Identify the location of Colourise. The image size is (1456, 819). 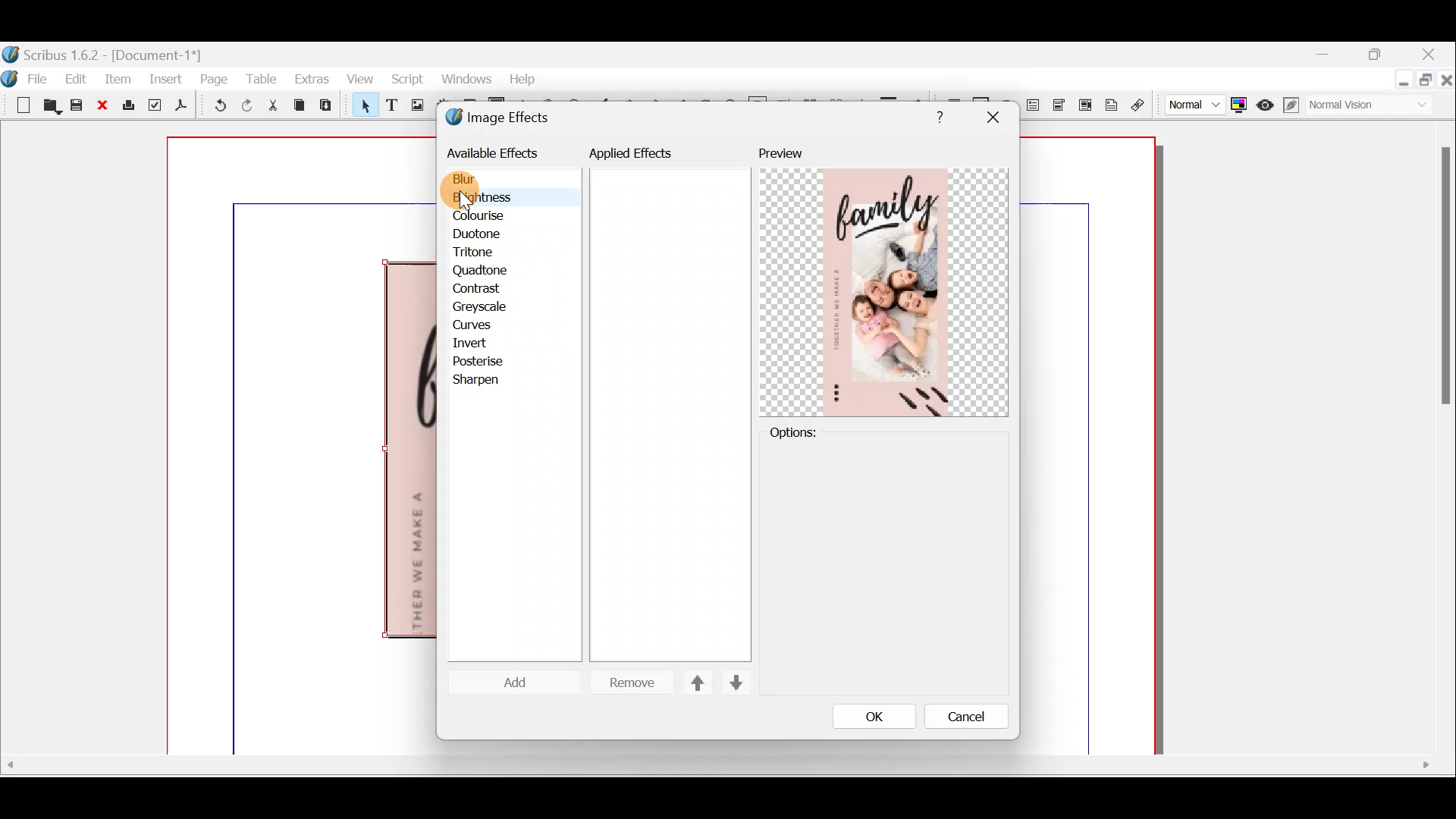
(486, 217).